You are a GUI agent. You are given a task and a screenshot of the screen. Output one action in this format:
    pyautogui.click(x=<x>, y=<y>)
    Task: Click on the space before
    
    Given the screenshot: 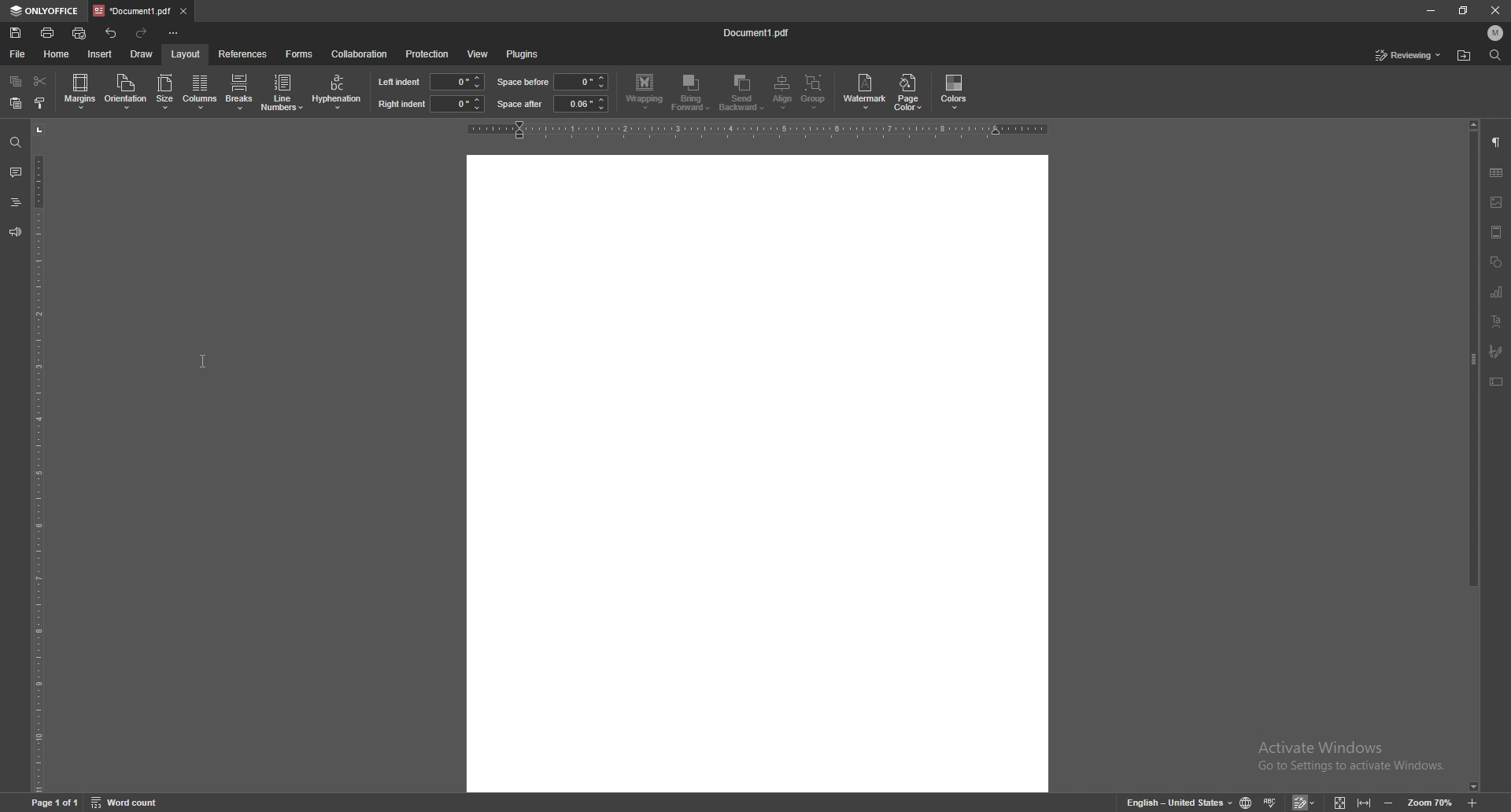 What is the action you would take?
    pyautogui.click(x=524, y=82)
    